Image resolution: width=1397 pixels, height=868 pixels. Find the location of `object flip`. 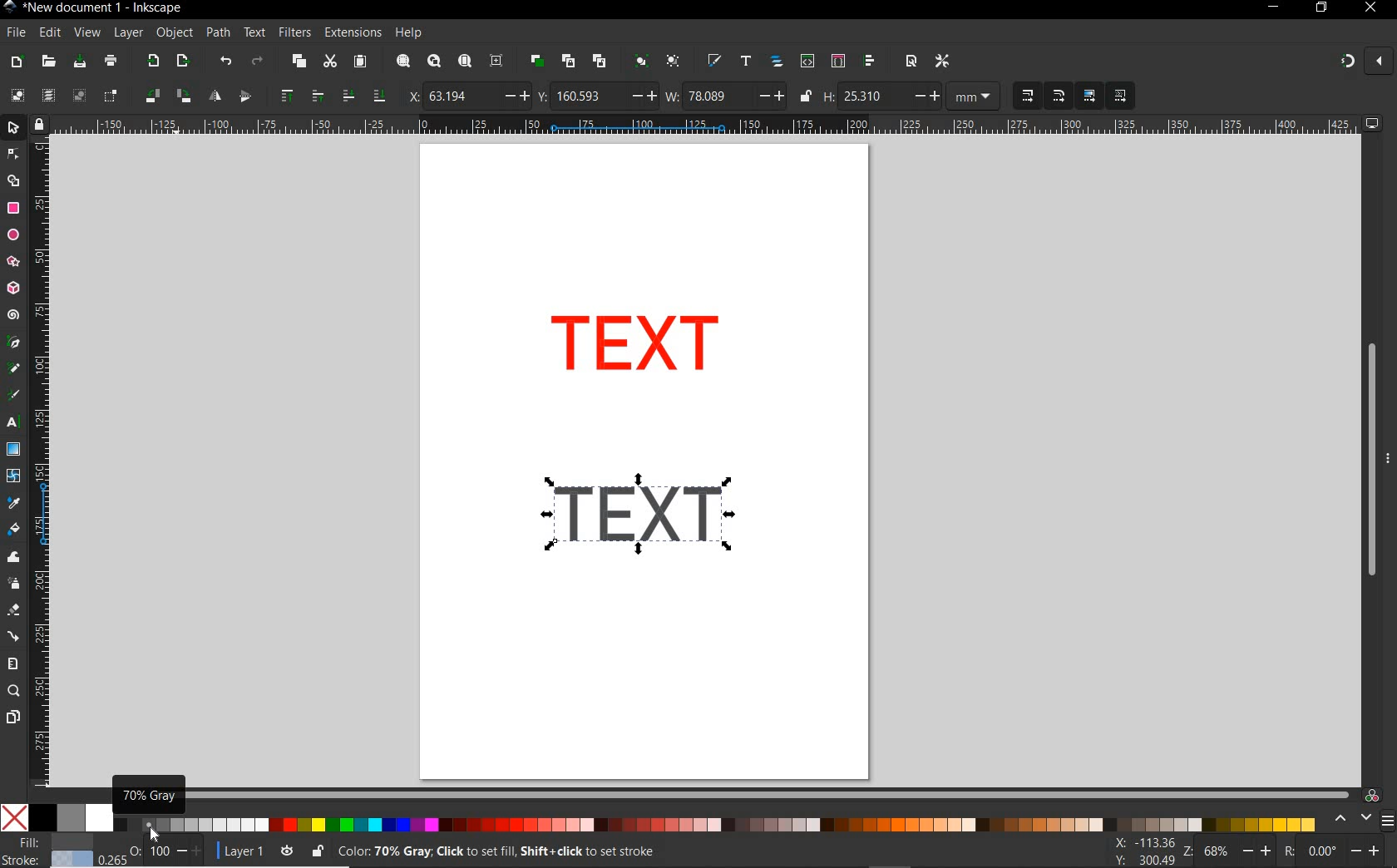

object flip is located at coordinates (228, 96).